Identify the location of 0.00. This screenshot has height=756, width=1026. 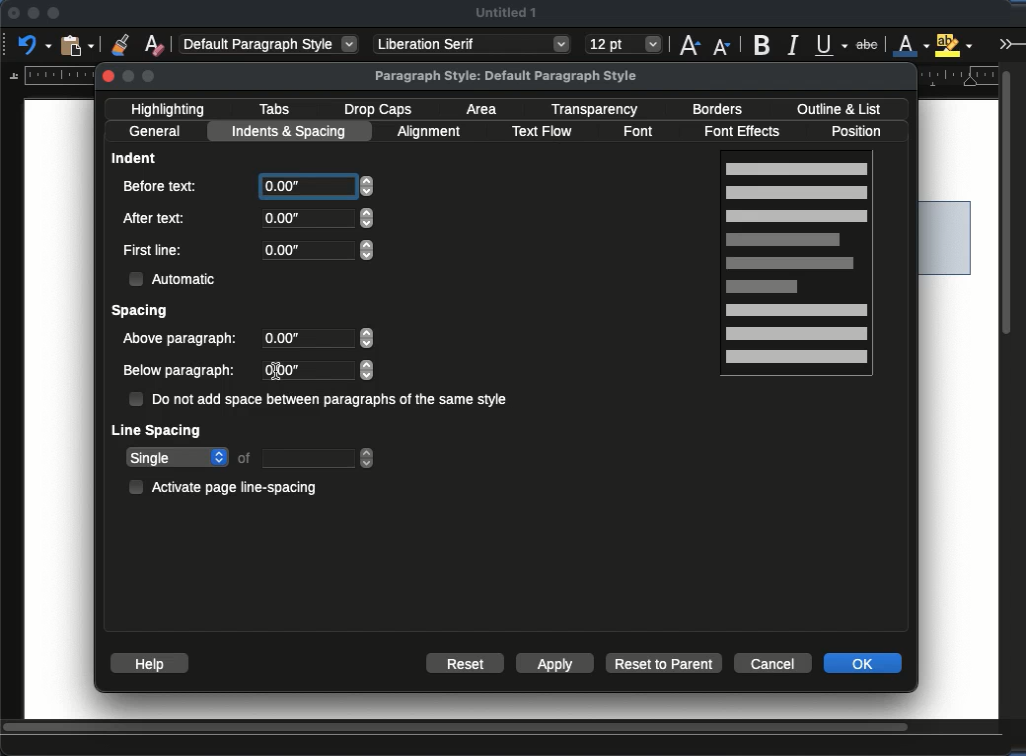
(321, 340).